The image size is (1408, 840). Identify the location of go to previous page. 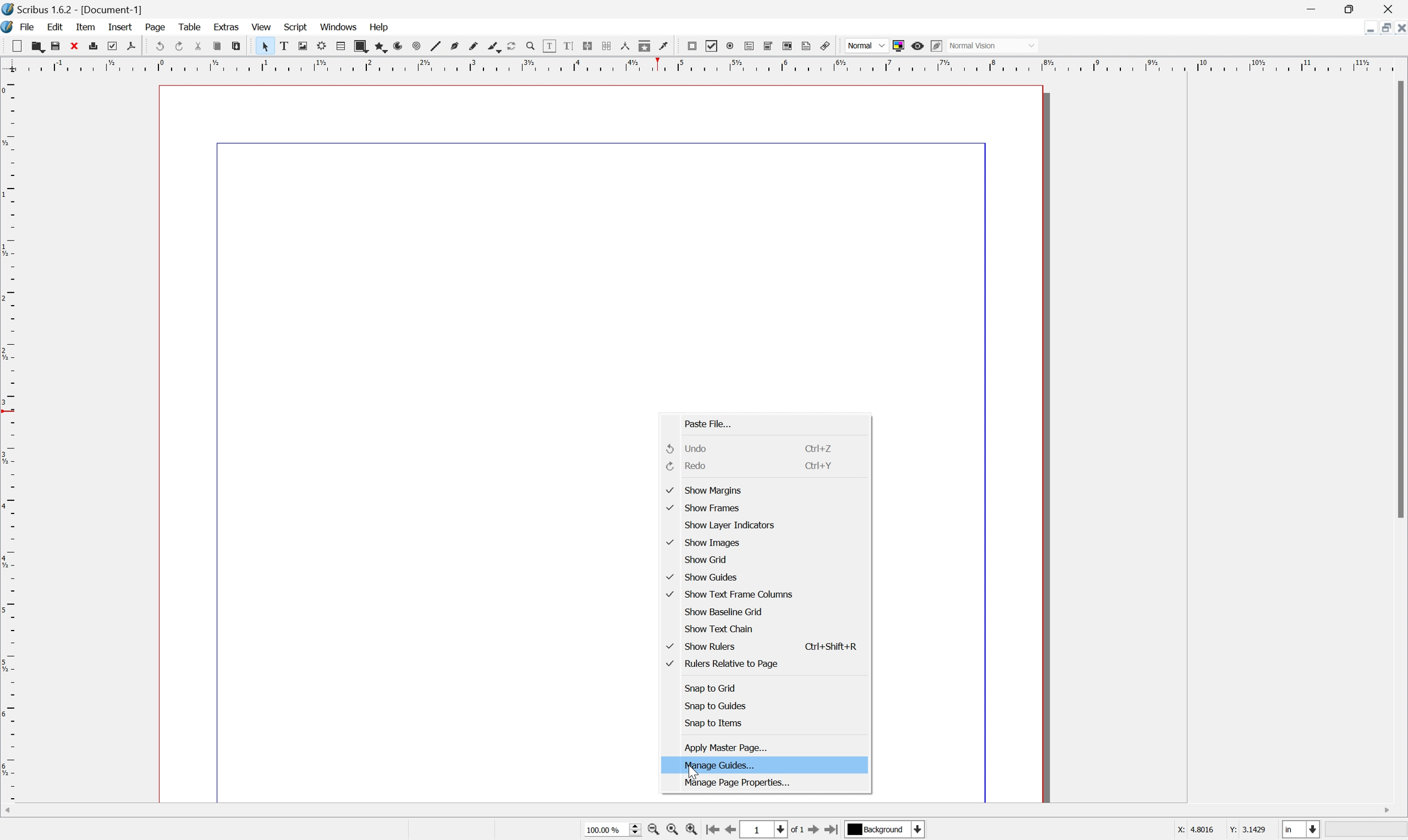
(730, 831).